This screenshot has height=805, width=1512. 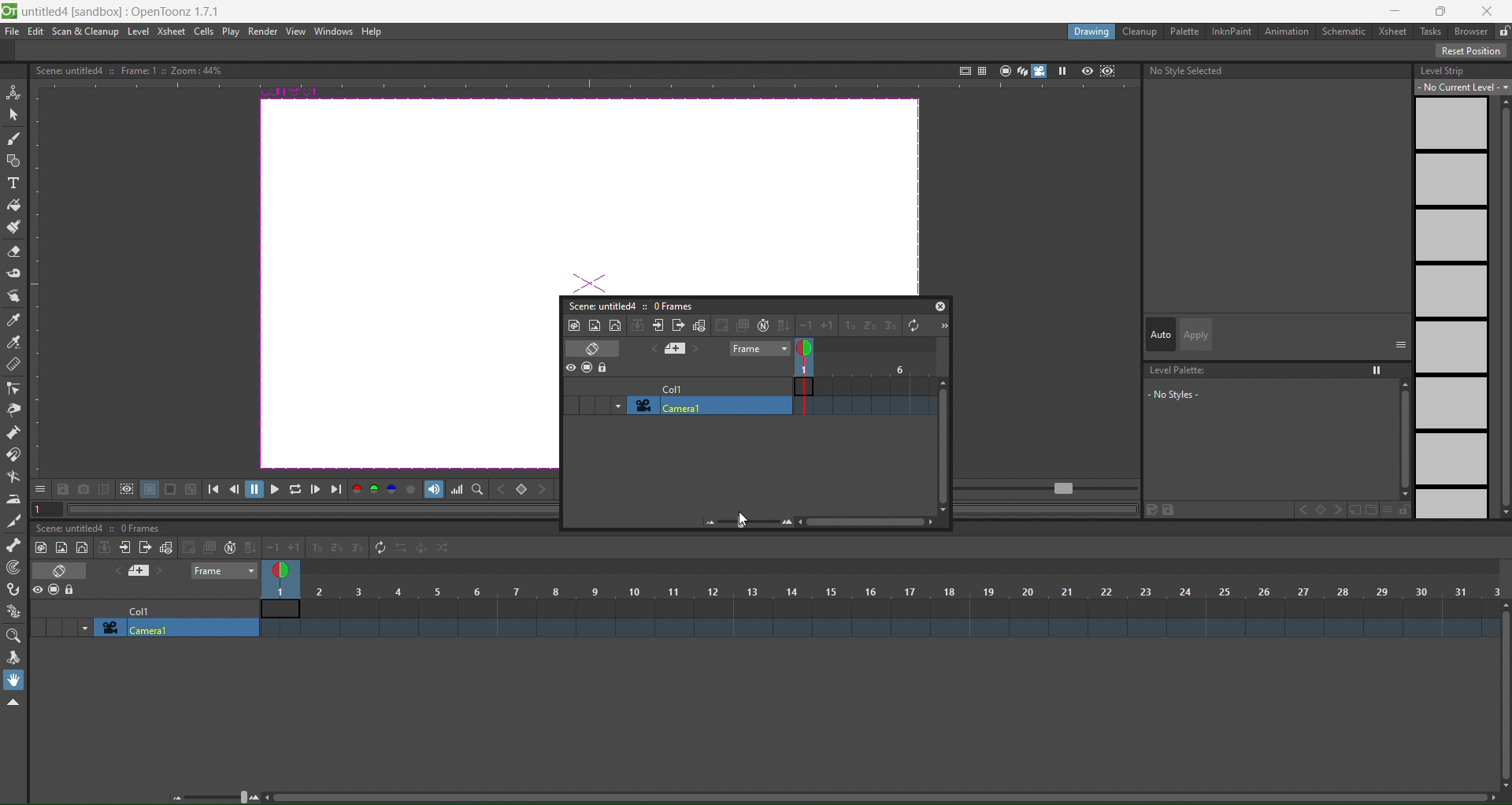 I want to click on style picker tool, so click(x=13, y=321).